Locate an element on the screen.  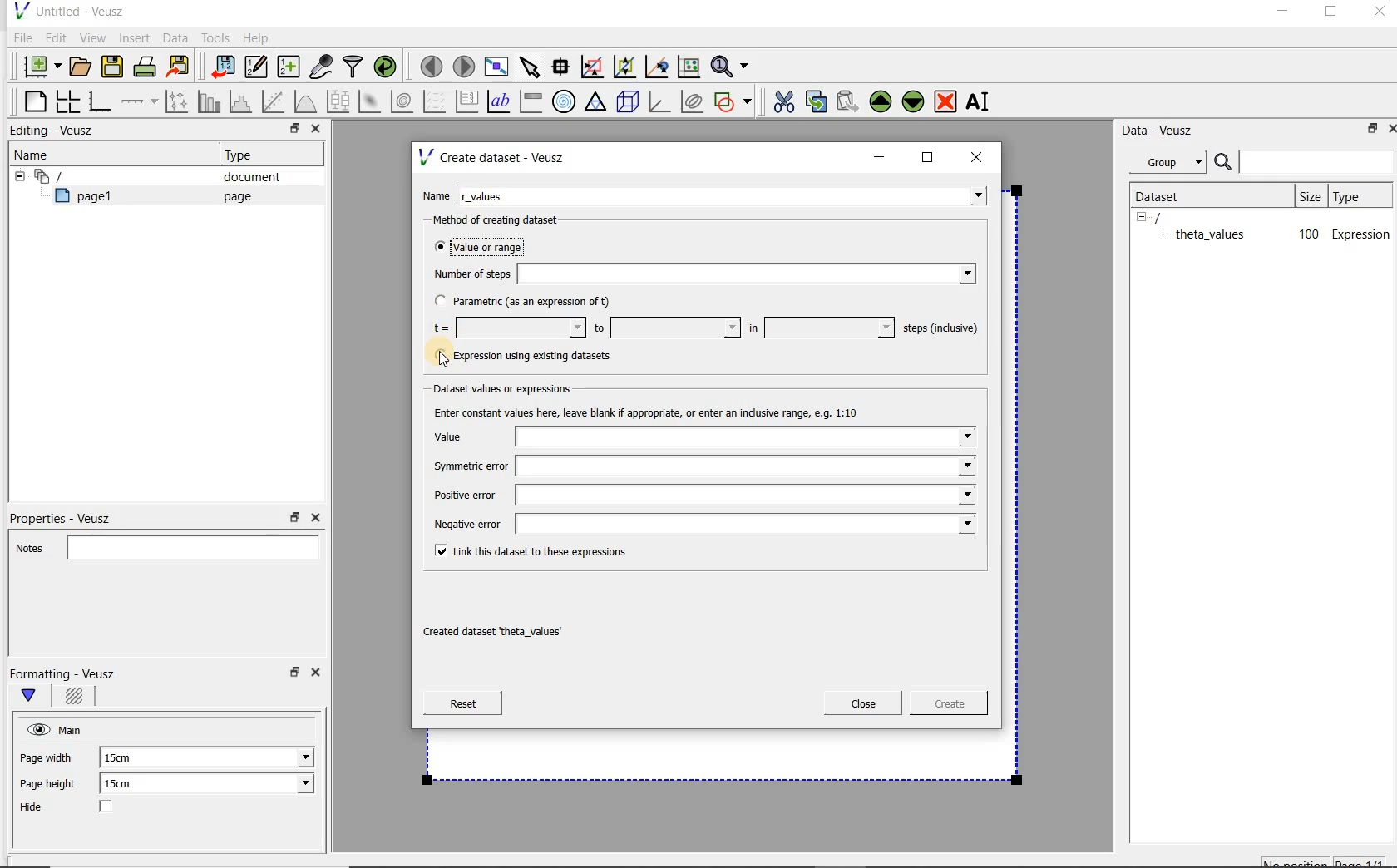
Type is located at coordinates (245, 155).